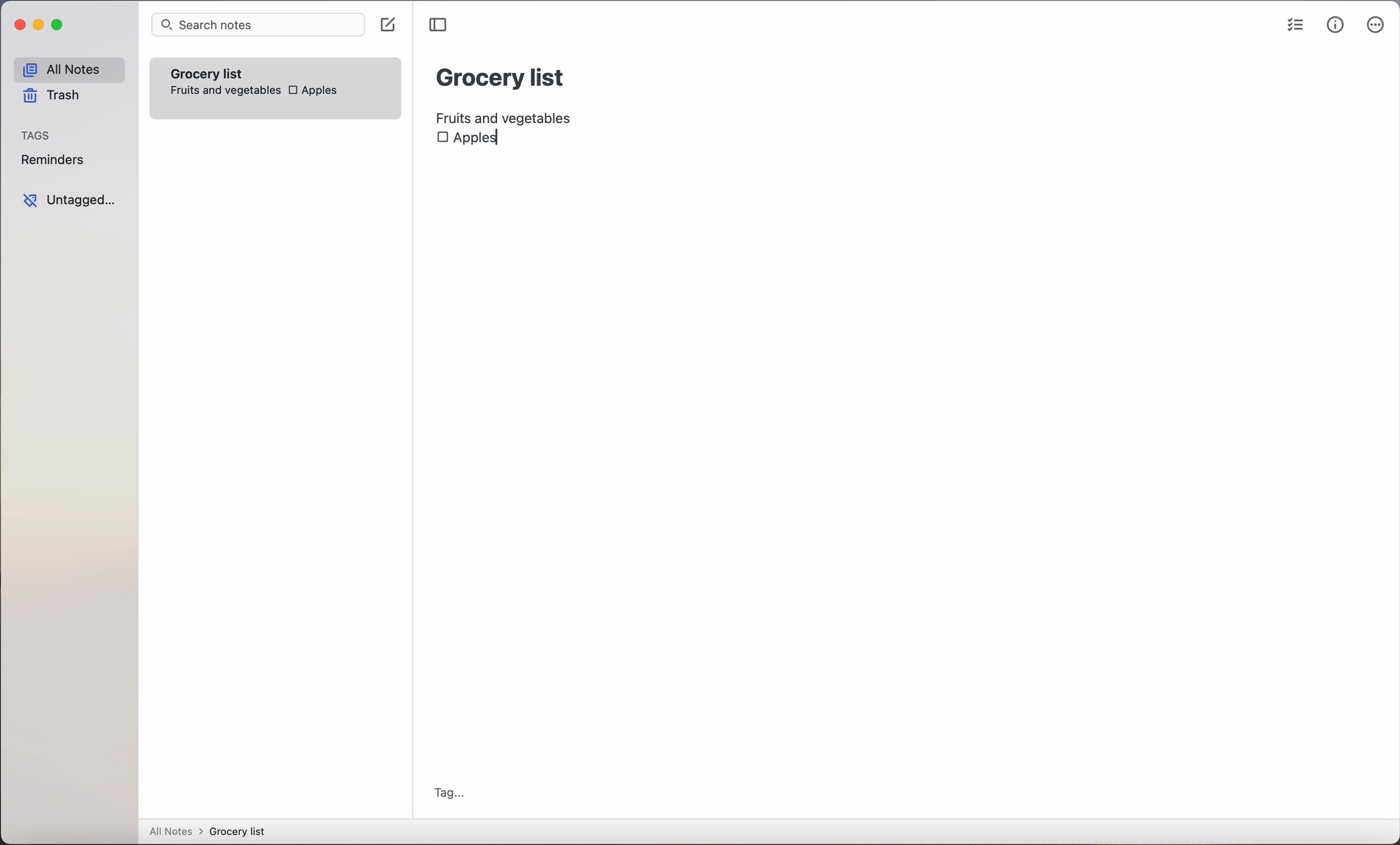 The image size is (1400, 845). I want to click on reminders, so click(52, 162).